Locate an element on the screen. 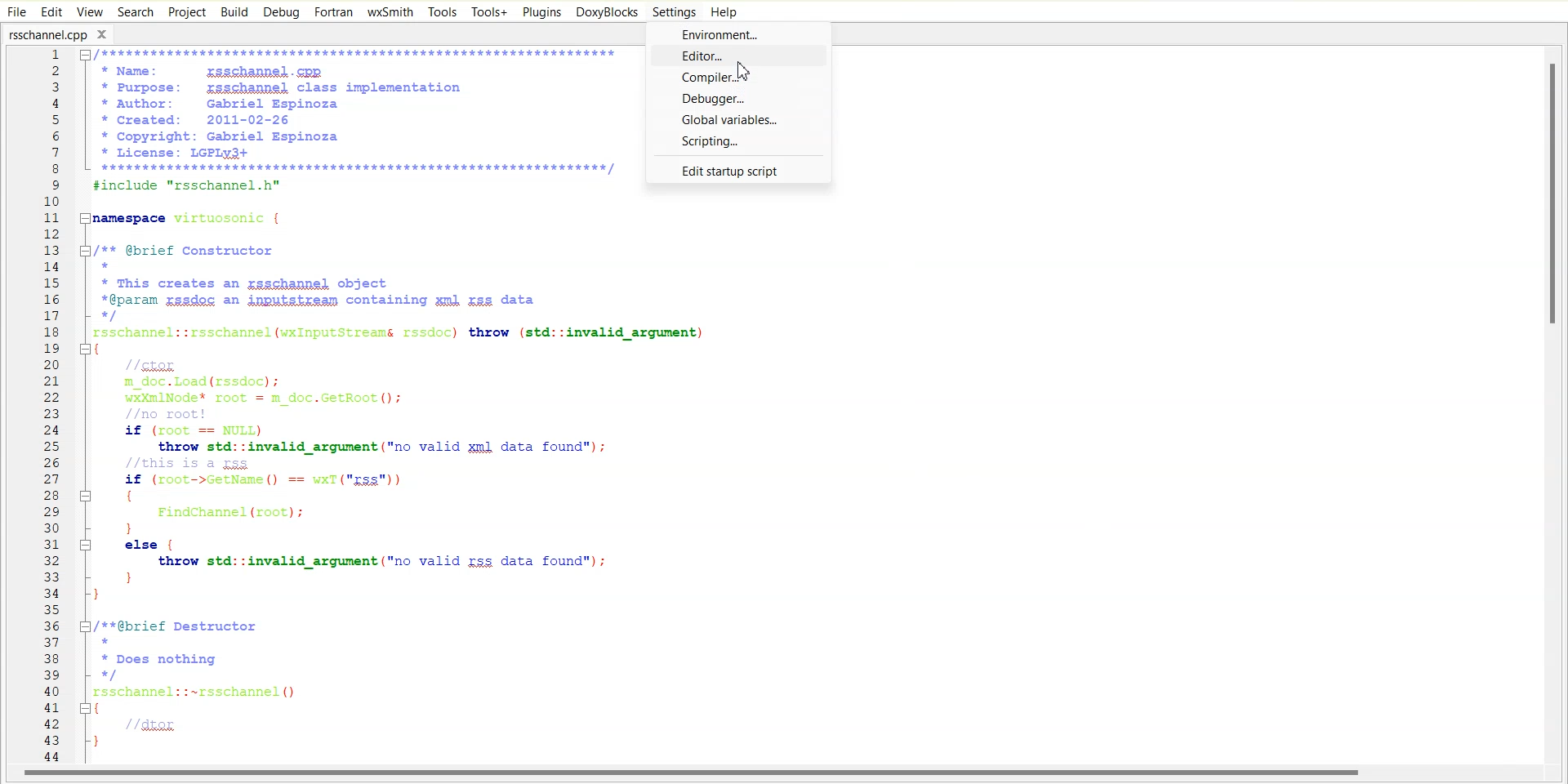 The height and width of the screenshot is (784, 1568). Vertical Scroll bar is located at coordinates (1558, 405).